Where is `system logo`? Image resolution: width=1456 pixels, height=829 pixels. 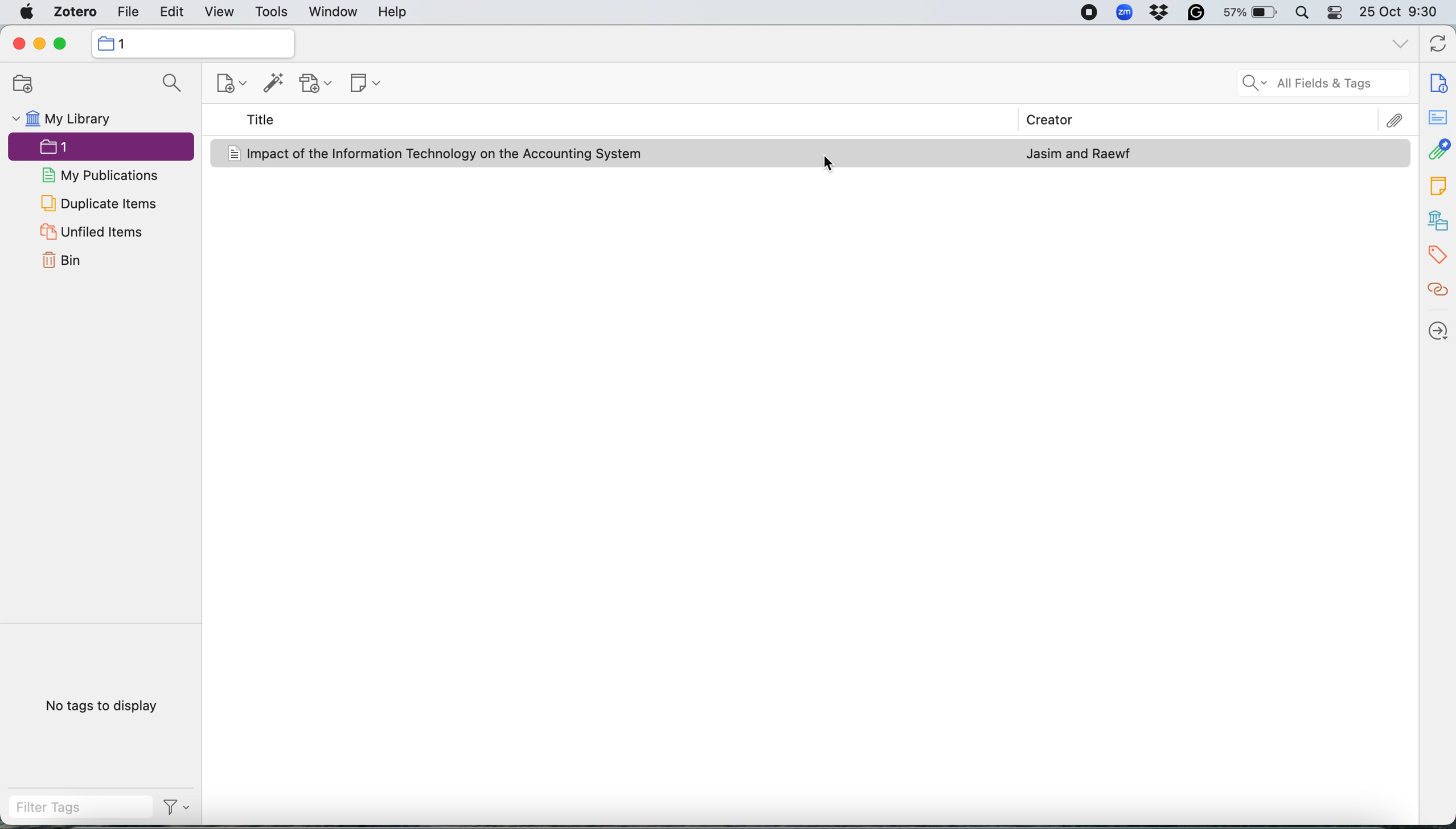
system logo is located at coordinates (24, 12).